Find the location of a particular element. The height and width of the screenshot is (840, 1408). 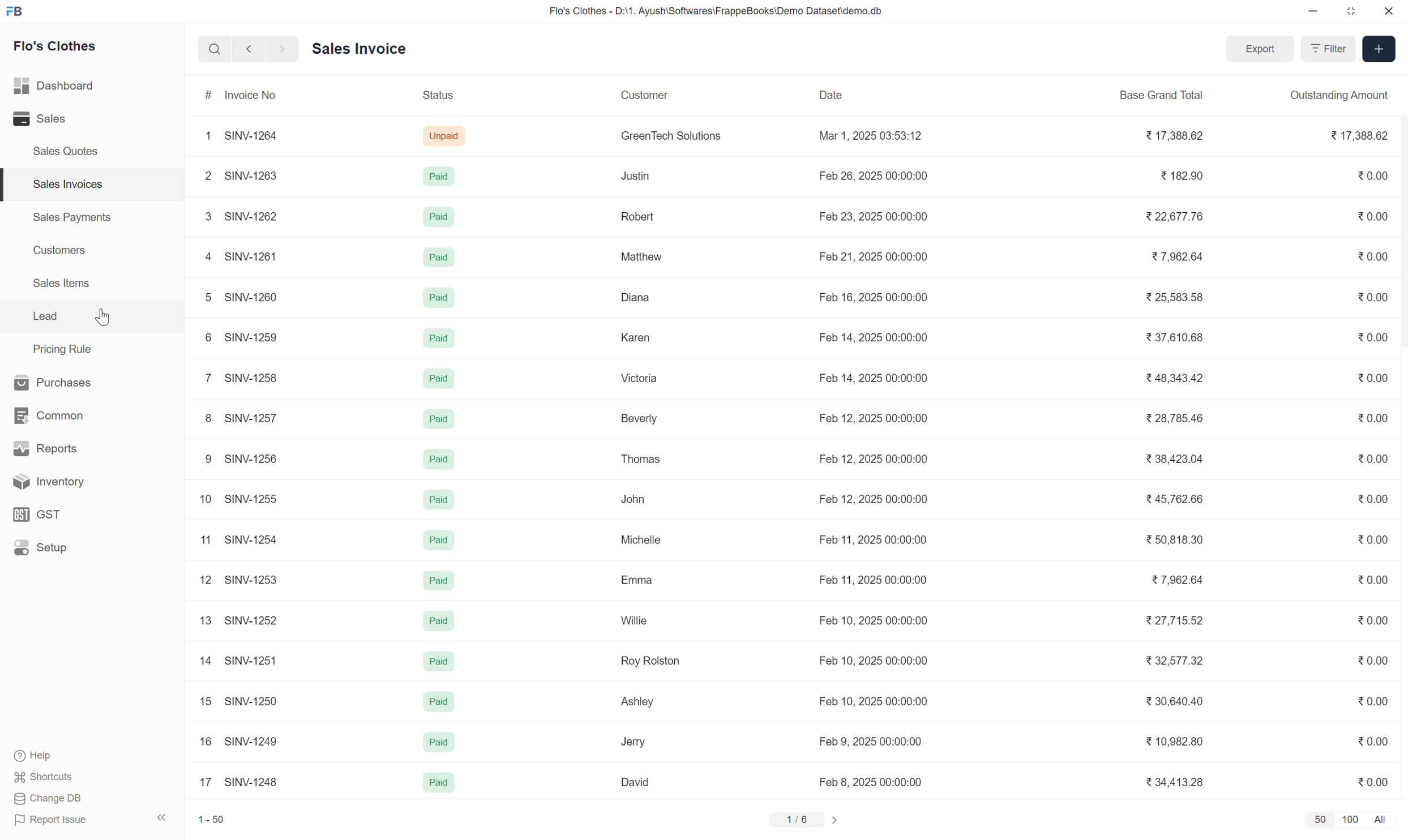

SINV-1262 is located at coordinates (255, 216).